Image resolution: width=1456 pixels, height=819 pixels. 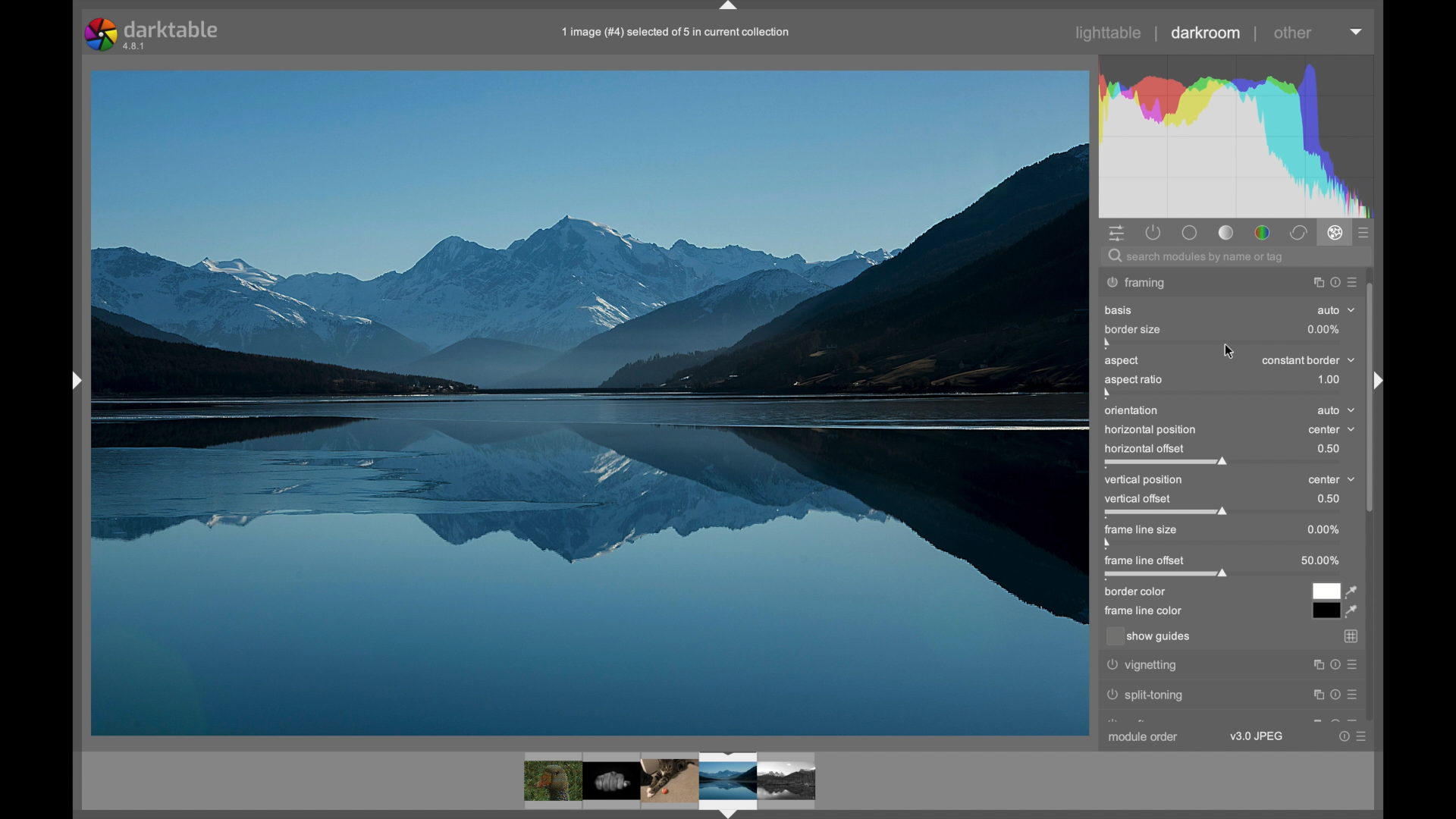 I want to click on color picker, so click(x=1352, y=613).